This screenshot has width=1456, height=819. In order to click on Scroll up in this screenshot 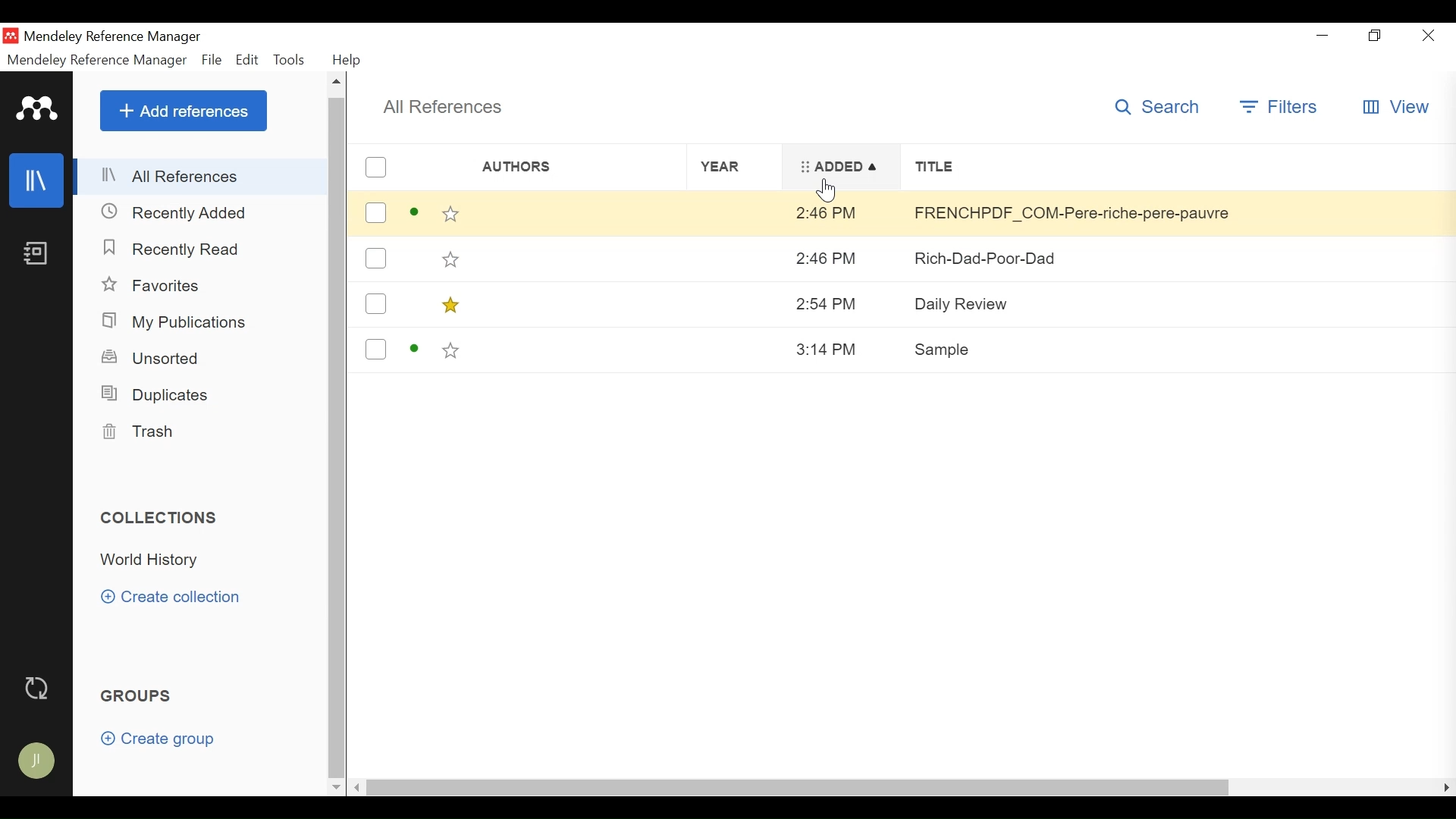, I will do `click(336, 84)`.